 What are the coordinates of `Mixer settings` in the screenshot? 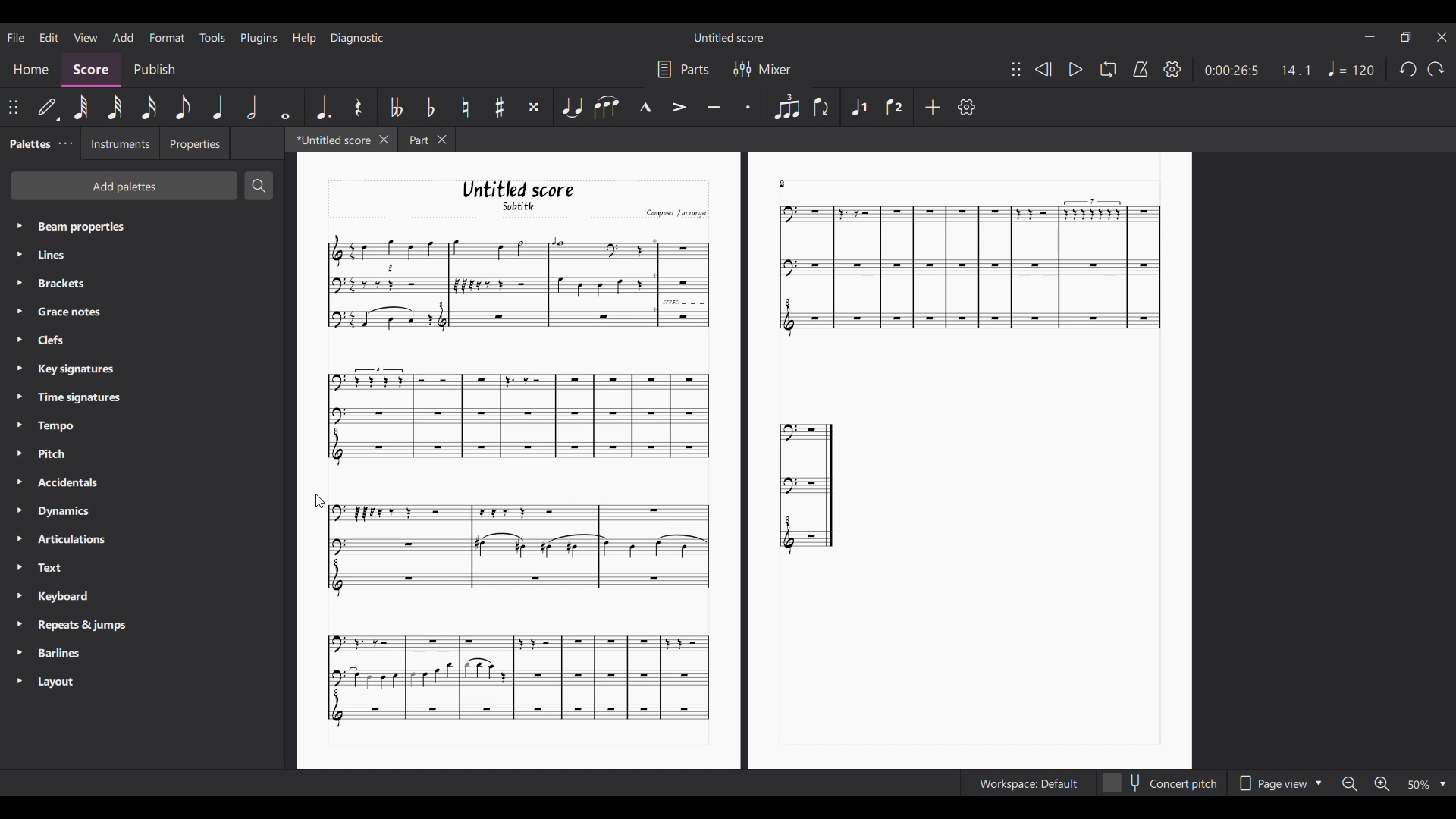 It's located at (764, 69).